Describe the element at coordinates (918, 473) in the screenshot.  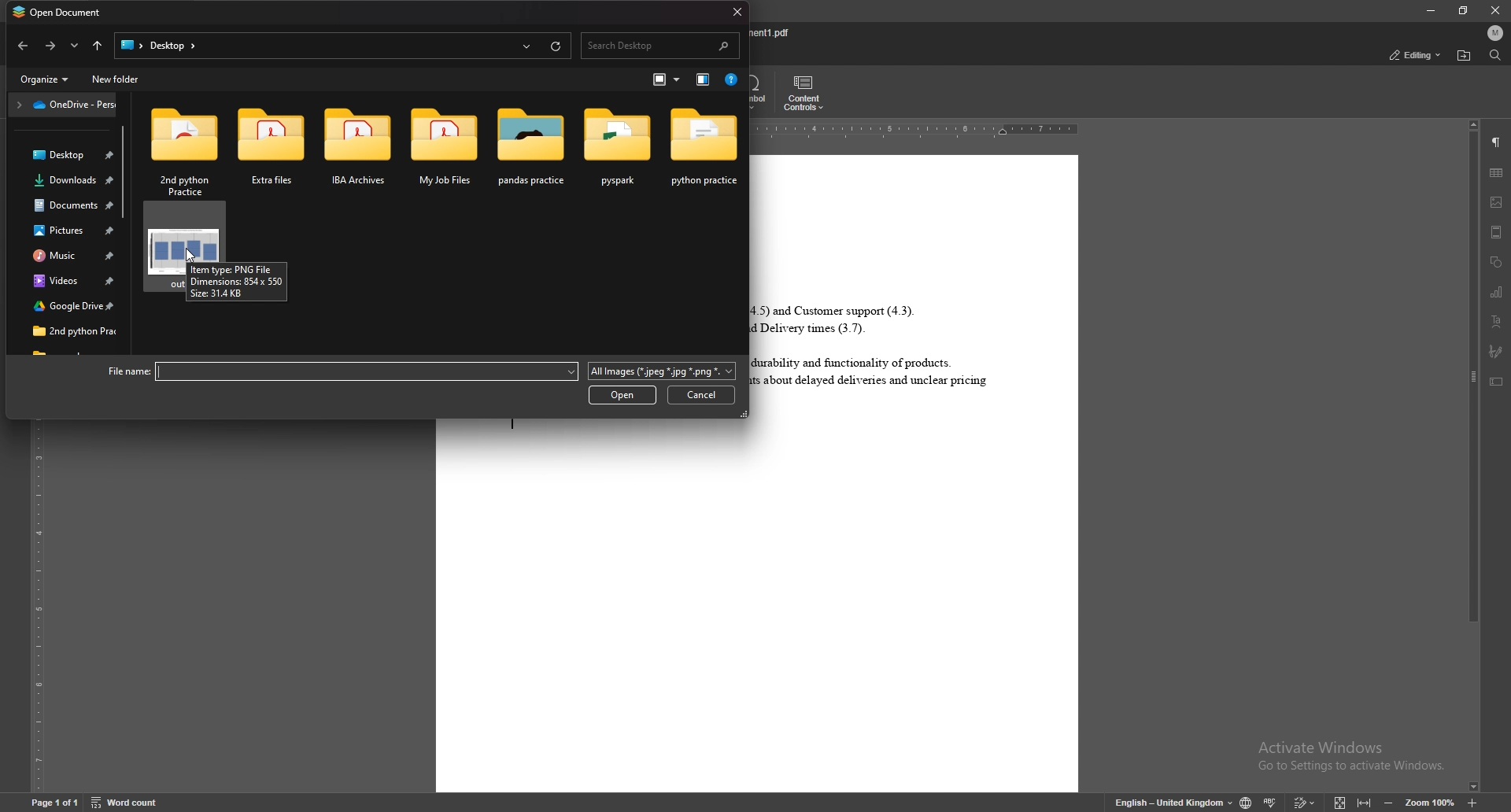
I see `document` at that location.